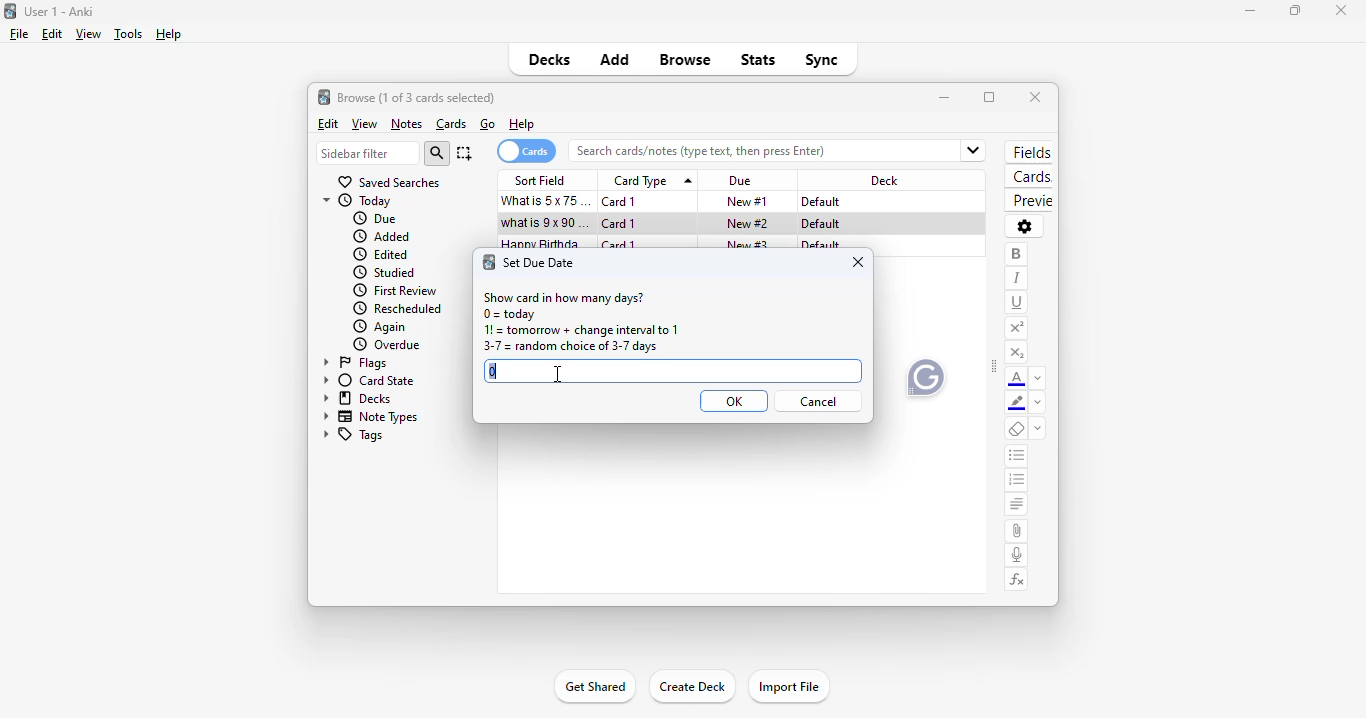  Describe the element at coordinates (490, 263) in the screenshot. I see `logo` at that location.